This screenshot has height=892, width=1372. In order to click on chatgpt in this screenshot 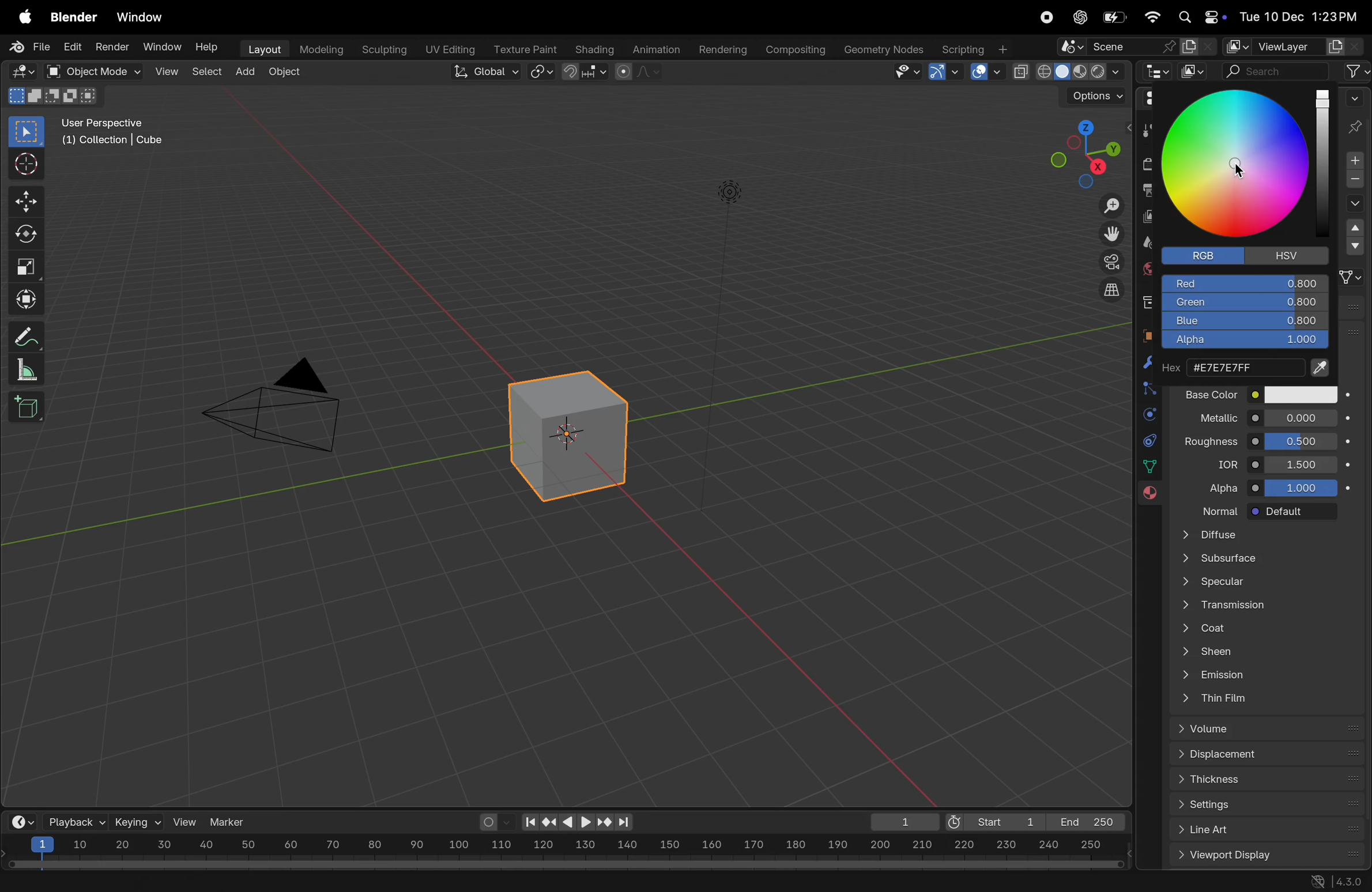, I will do `click(1078, 17)`.